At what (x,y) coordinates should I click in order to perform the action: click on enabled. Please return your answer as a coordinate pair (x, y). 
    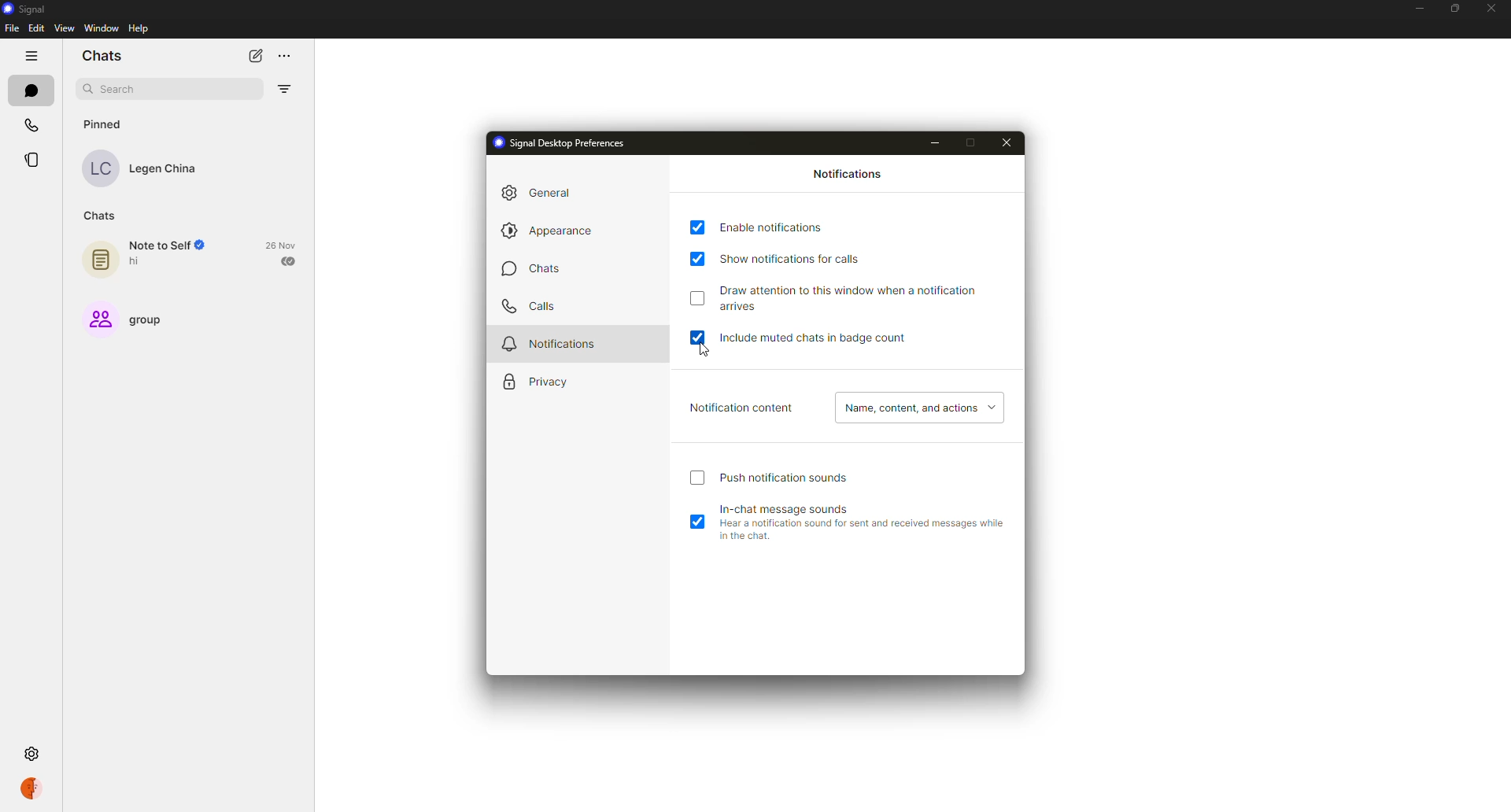
    Looking at the image, I should click on (700, 522).